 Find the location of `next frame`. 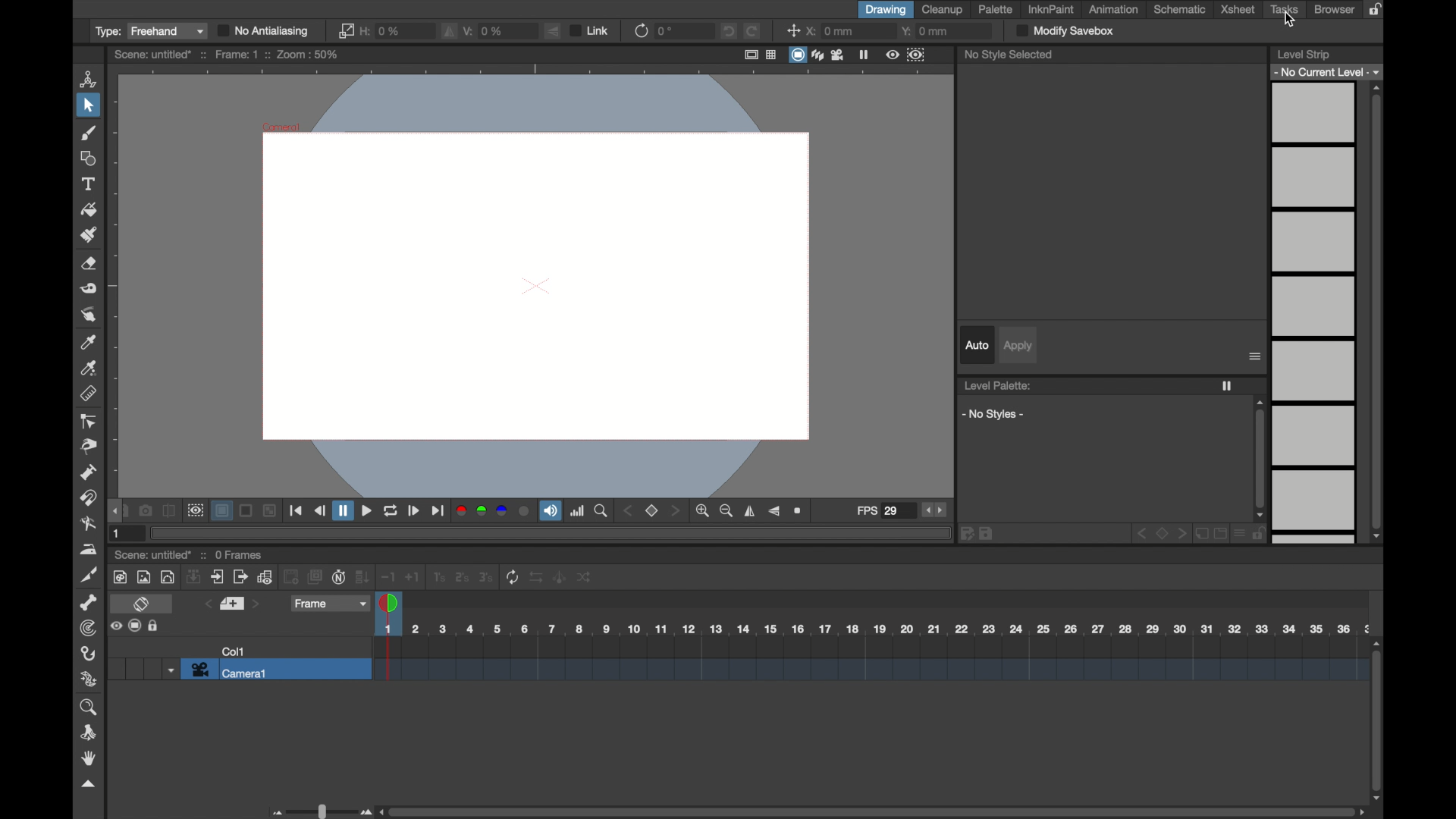

next frame is located at coordinates (414, 510).